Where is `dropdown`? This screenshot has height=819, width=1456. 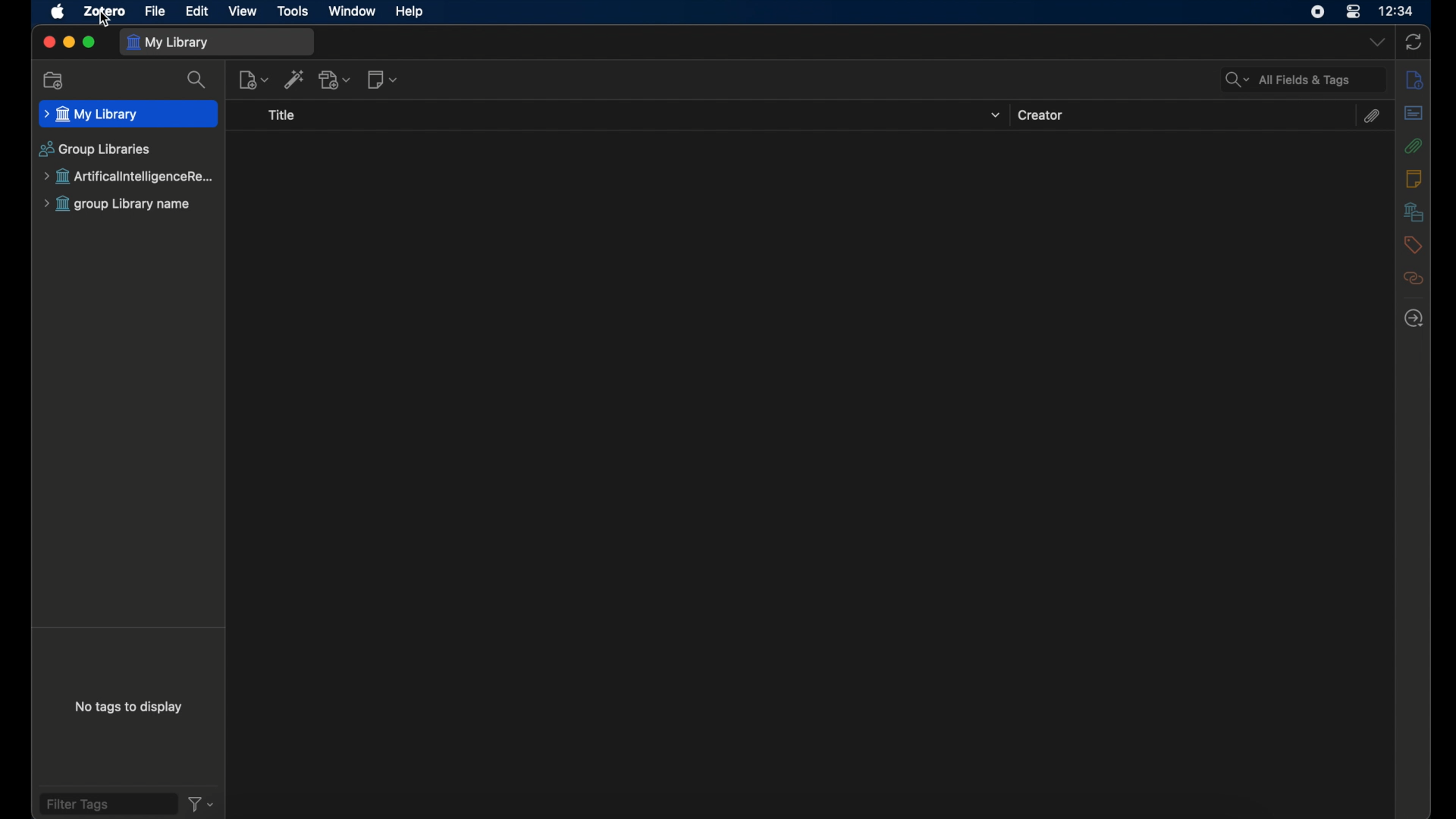
dropdown is located at coordinates (1375, 43).